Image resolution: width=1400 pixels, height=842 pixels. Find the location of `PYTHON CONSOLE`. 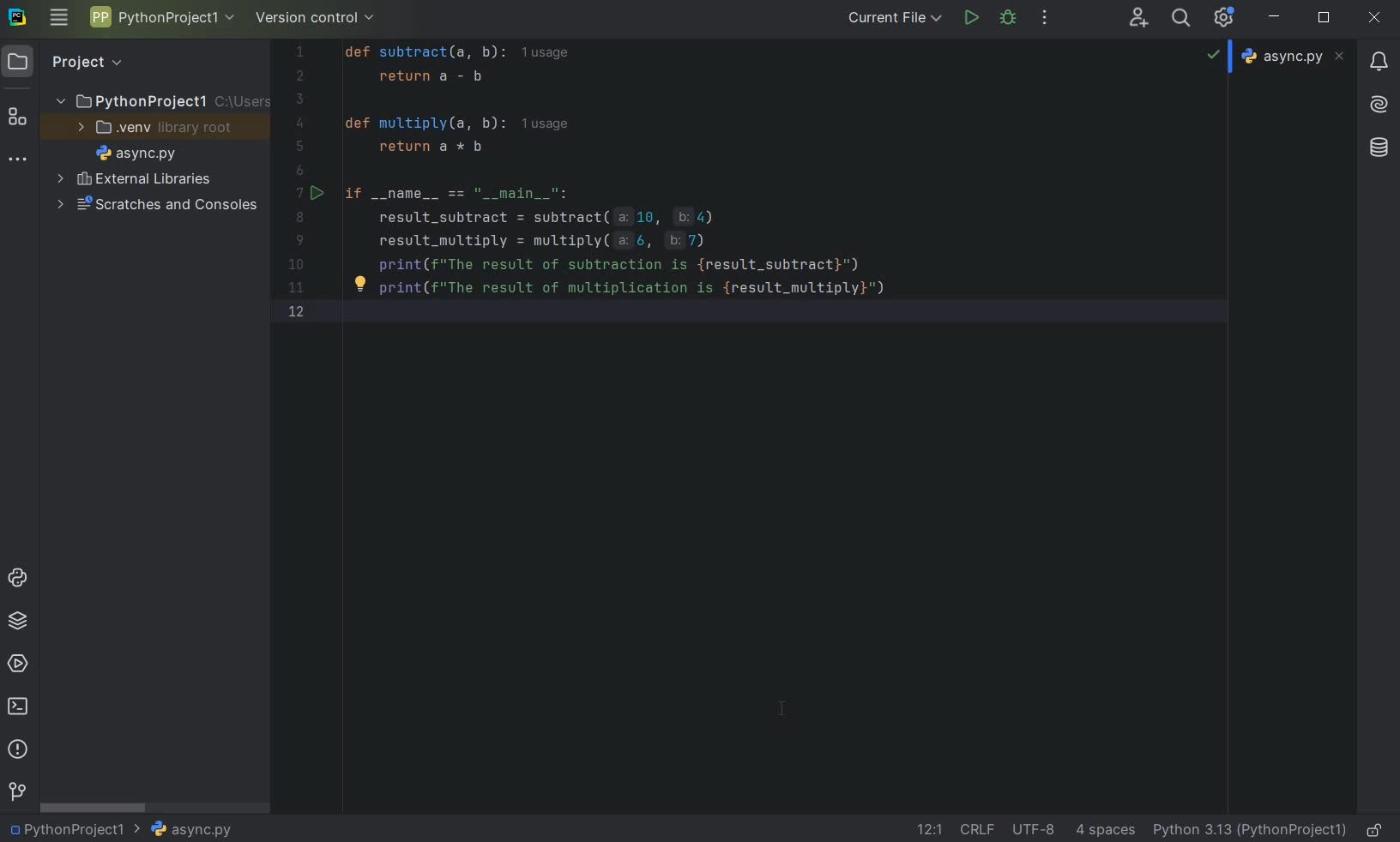

PYTHON CONSOLE is located at coordinates (20, 581).